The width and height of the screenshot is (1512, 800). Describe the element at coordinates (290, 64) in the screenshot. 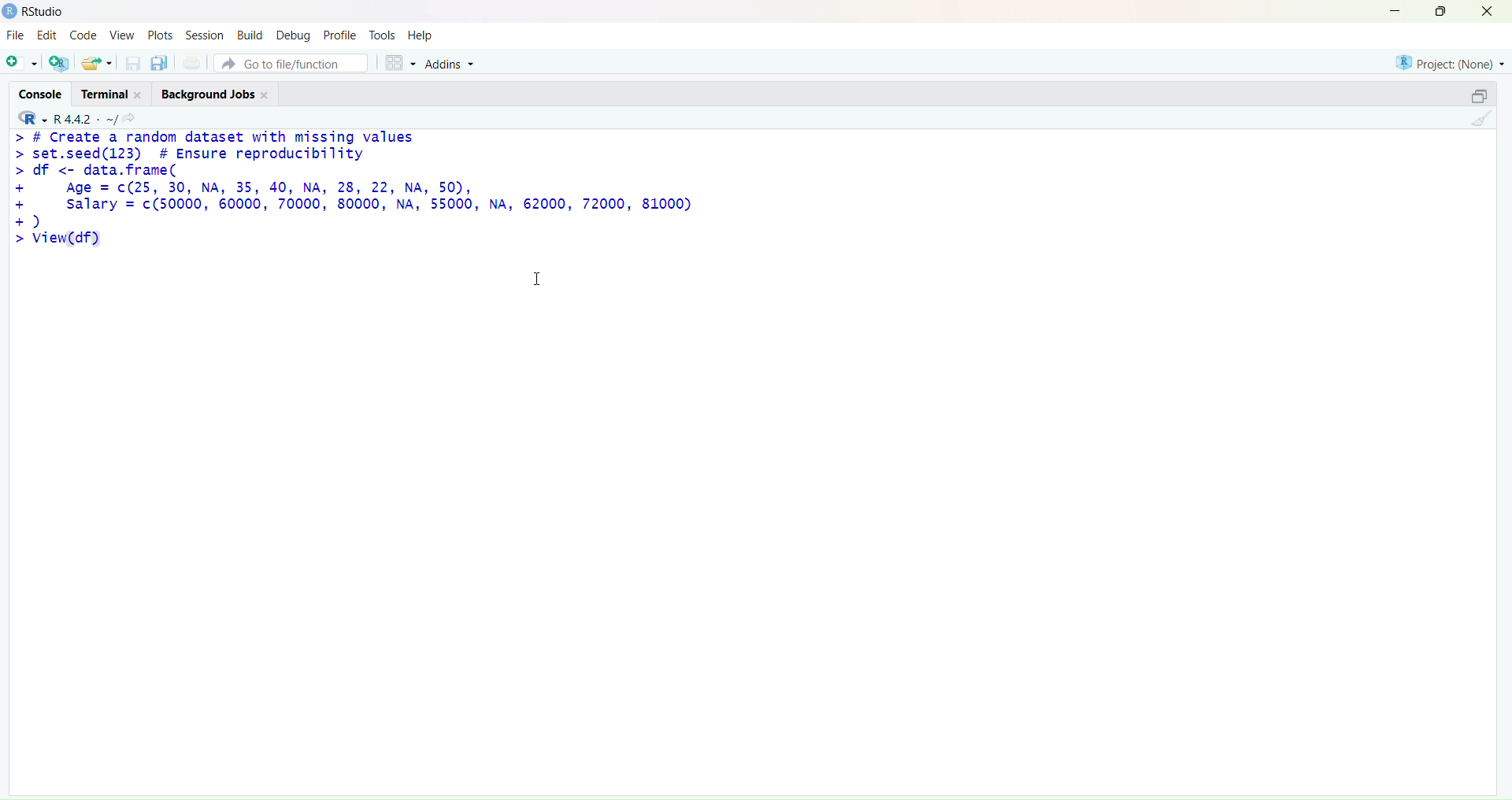

I see `go to file/function` at that location.